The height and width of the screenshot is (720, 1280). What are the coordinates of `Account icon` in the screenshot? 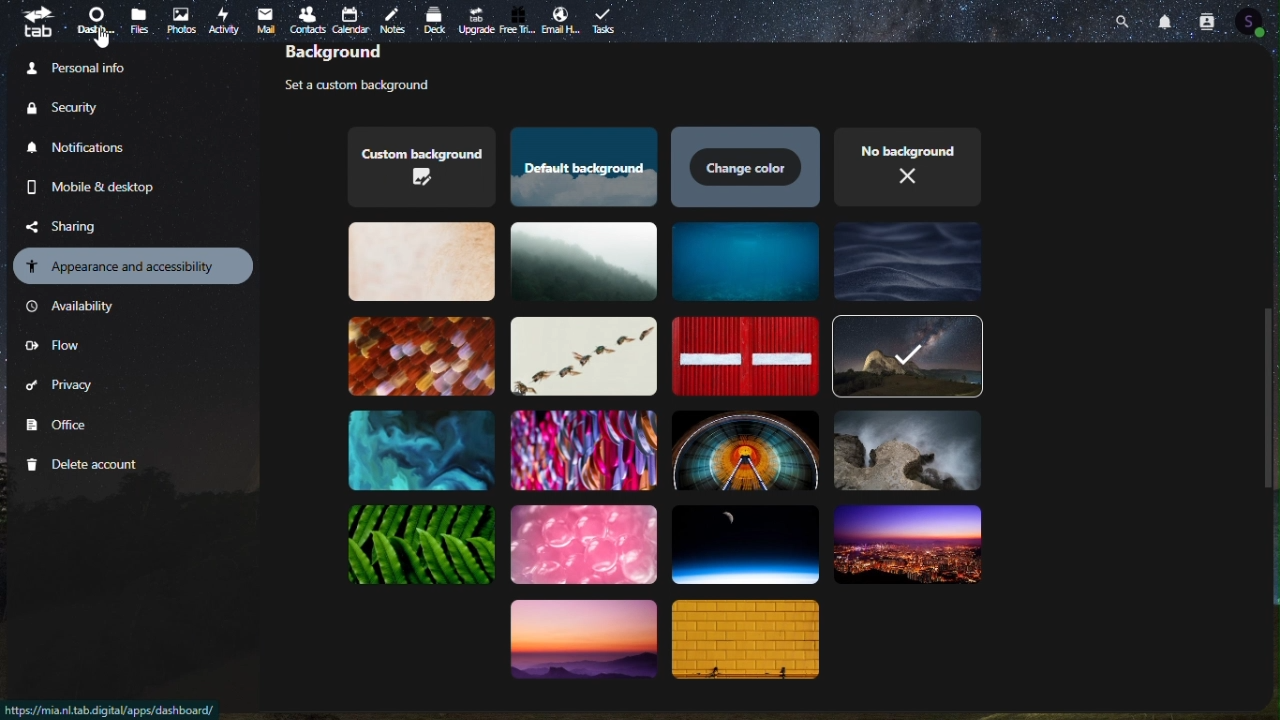 It's located at (1256, 21).